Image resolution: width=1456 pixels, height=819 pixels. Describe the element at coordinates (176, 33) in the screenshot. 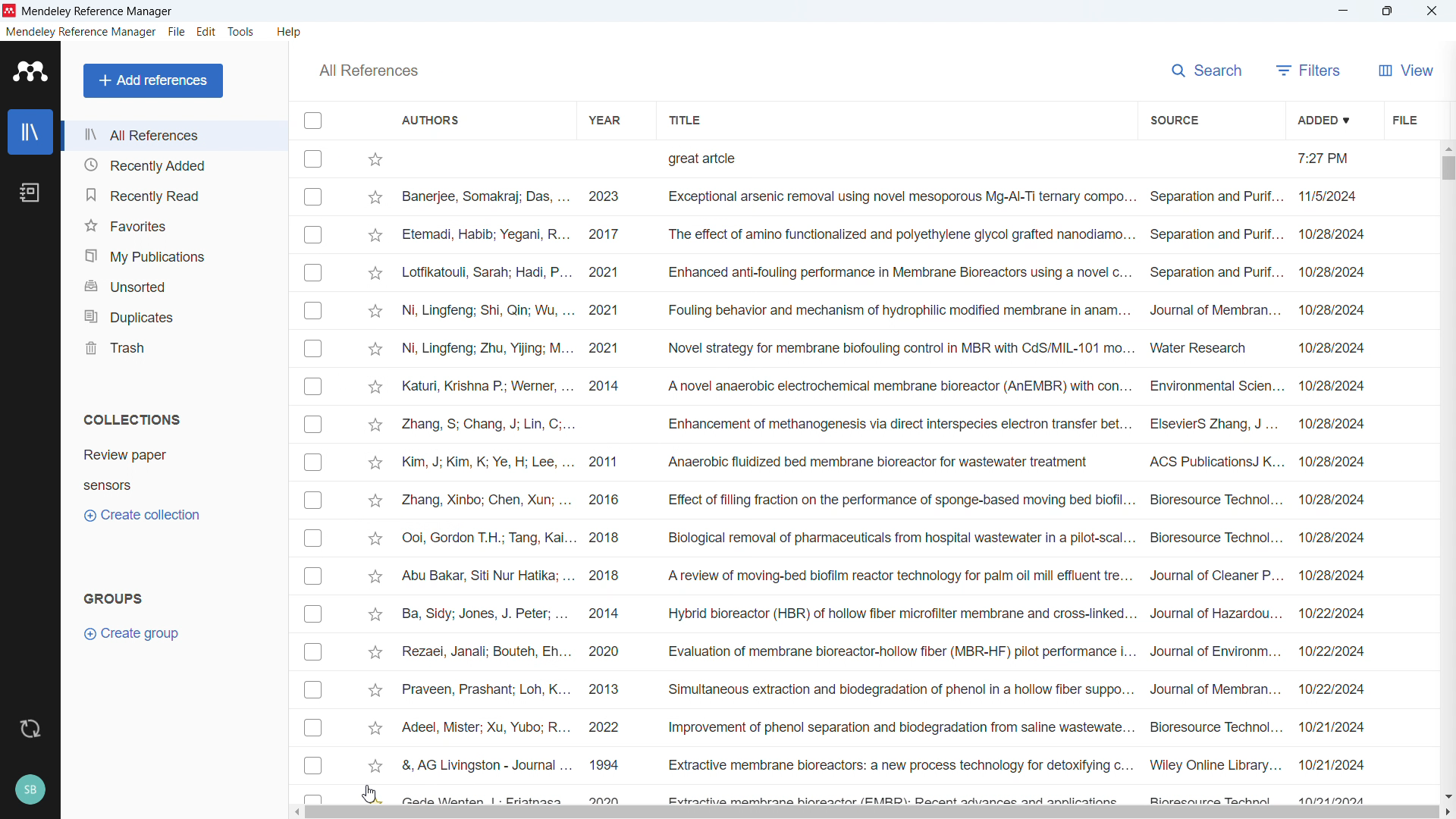

I see `file ` at that location.